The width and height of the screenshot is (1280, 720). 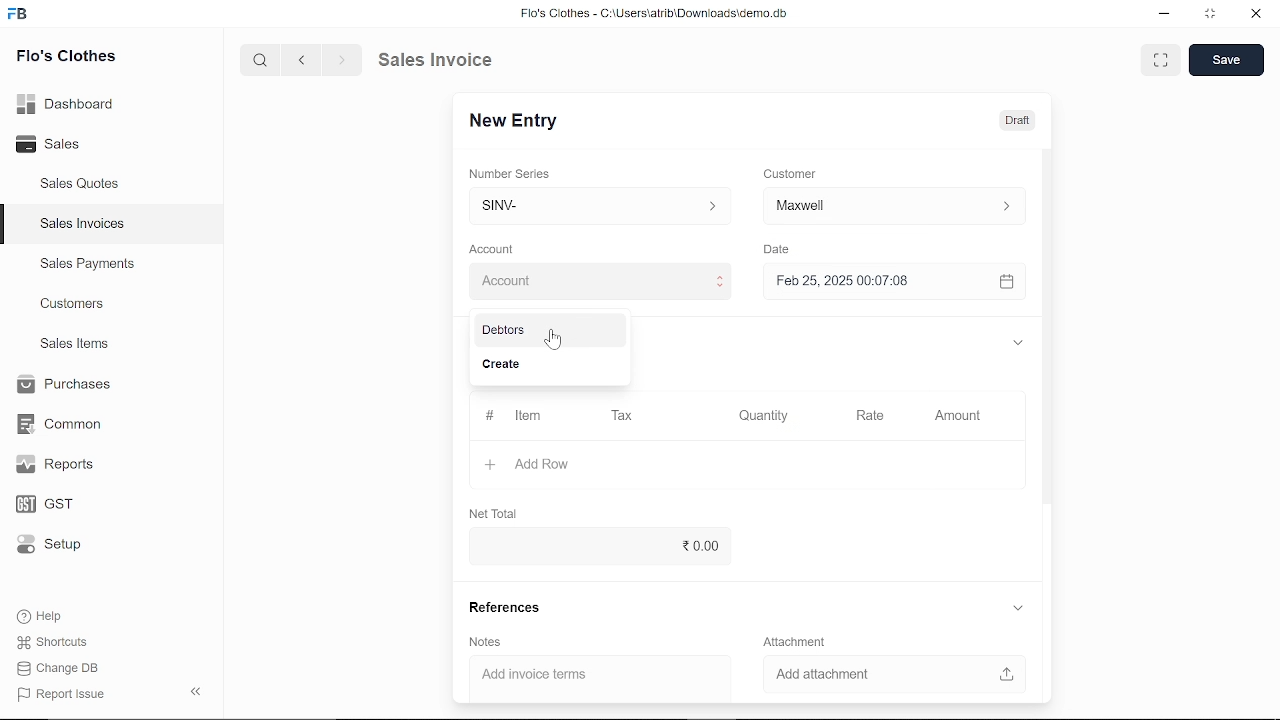 I want to click on Sales, so click(x=57, y=142).